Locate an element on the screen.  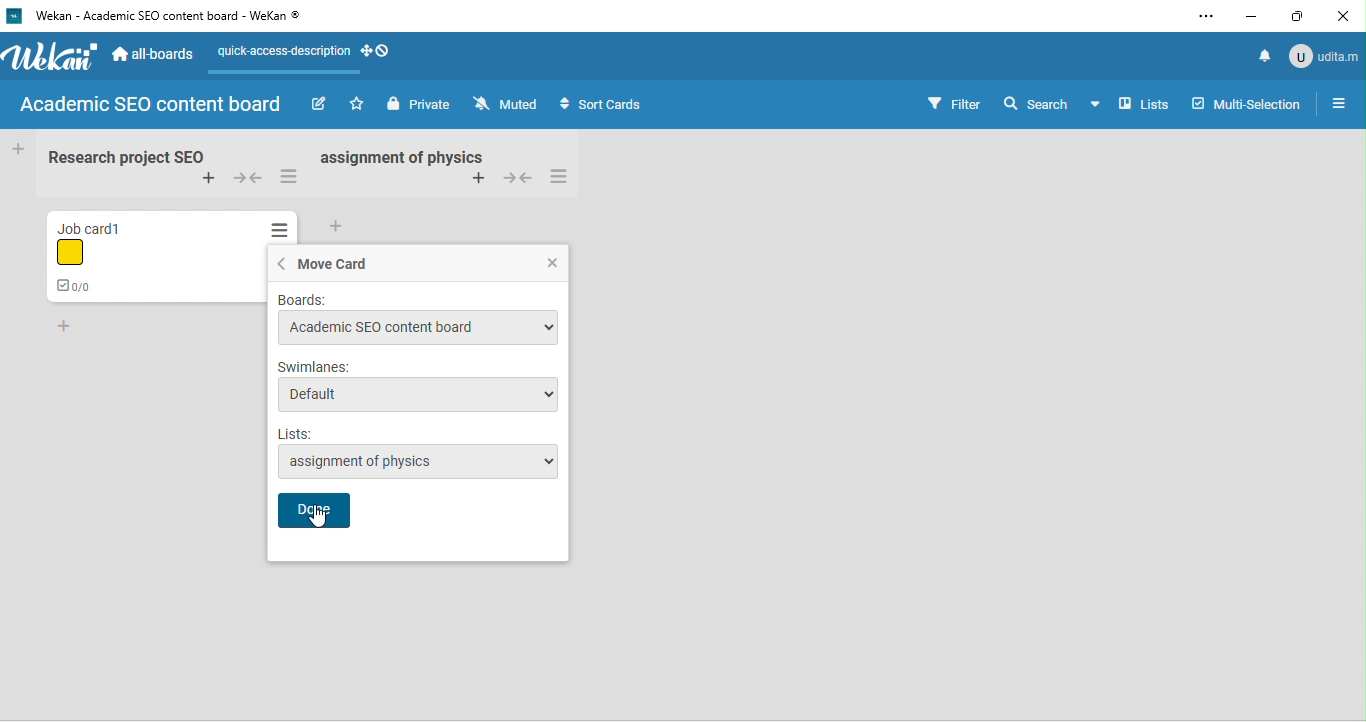
label color is located at coordinates (77, 252).